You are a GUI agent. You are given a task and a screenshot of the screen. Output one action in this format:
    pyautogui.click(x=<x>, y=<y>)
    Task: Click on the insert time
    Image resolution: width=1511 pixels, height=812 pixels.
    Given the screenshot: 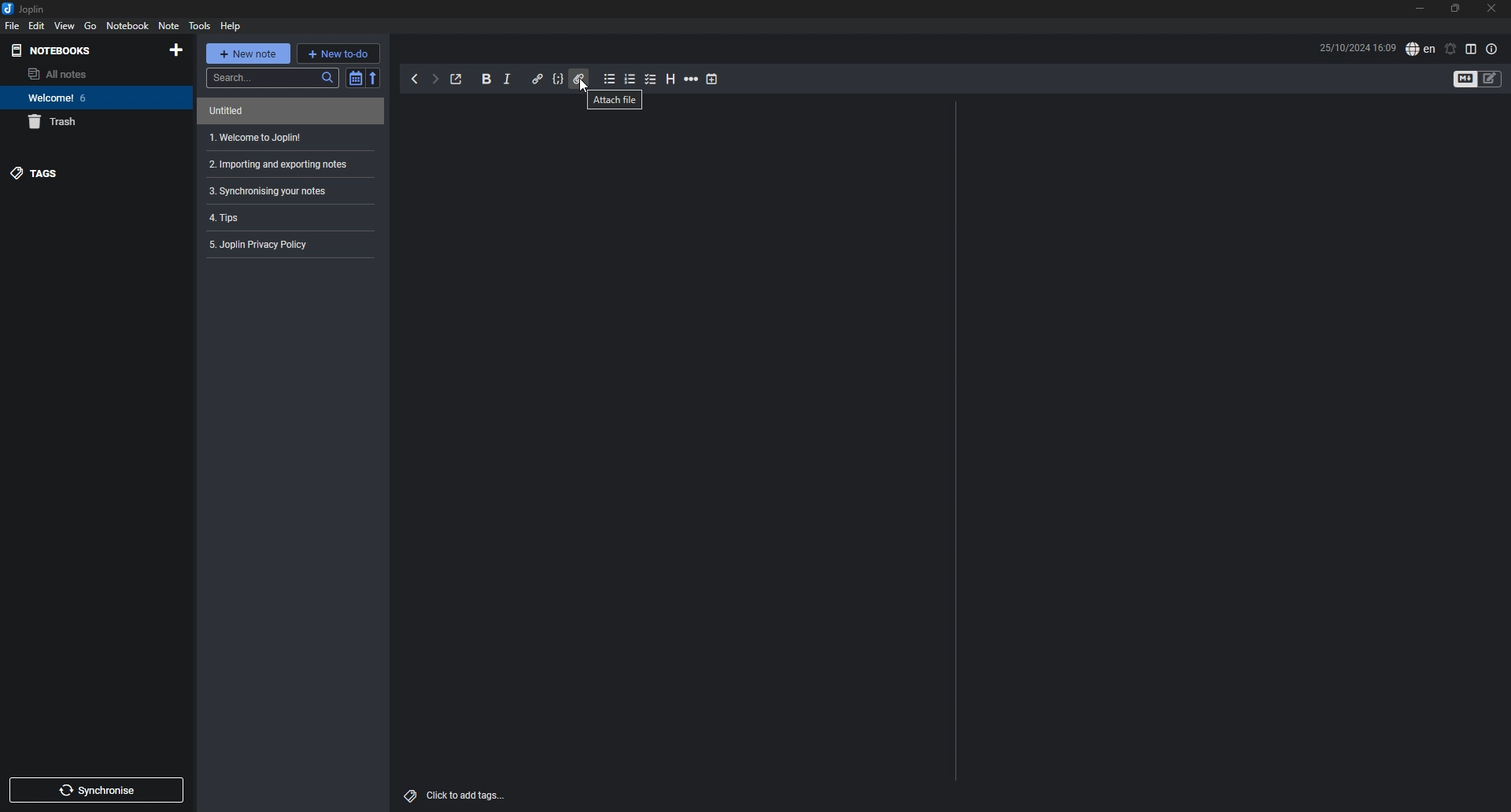 What is the action you would take?
    pyautogui.click(x=711, y=79)
    